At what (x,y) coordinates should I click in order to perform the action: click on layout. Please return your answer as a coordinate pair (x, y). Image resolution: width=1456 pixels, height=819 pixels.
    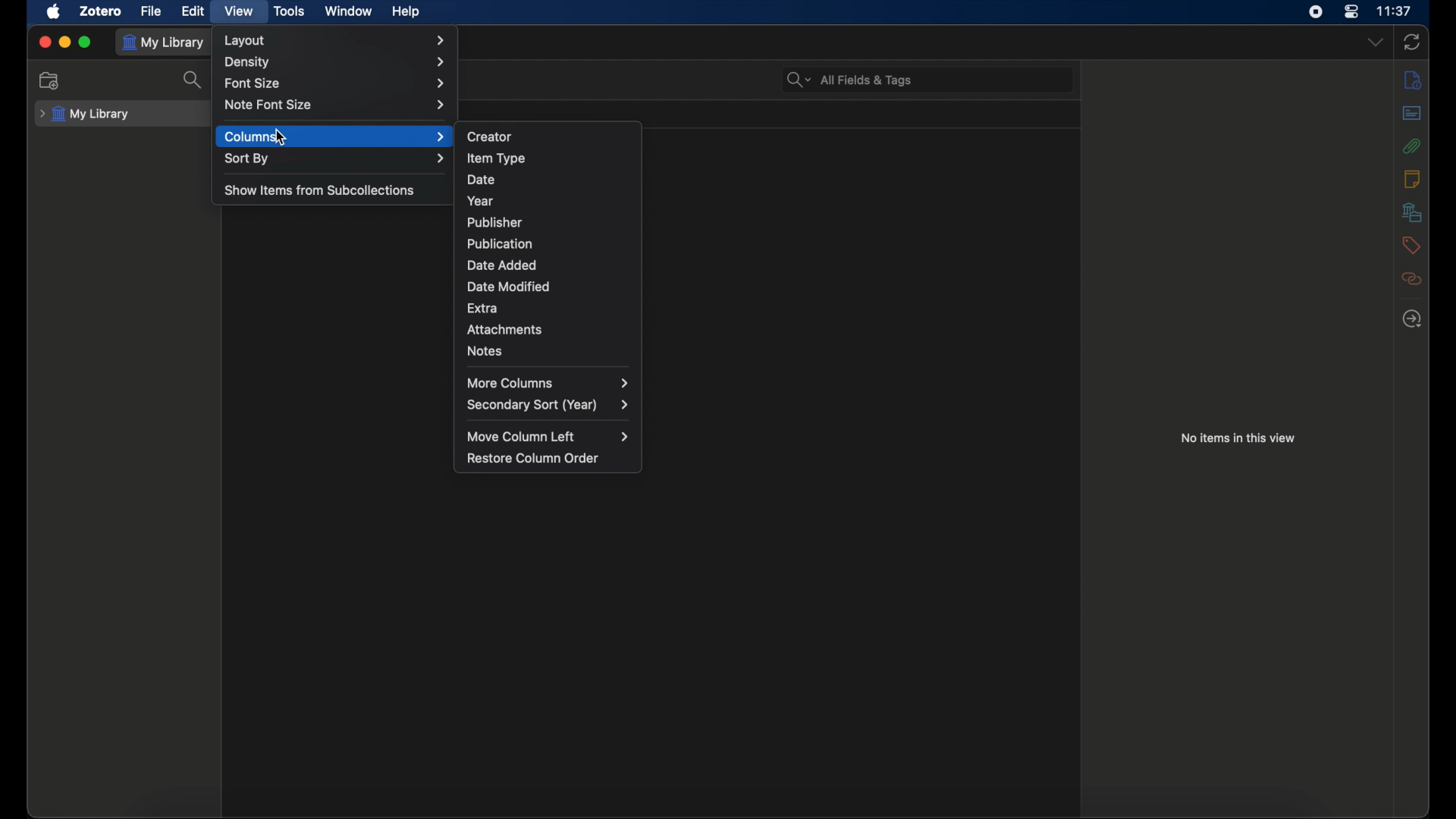
    Looking at the image, I should click on (337, 40).